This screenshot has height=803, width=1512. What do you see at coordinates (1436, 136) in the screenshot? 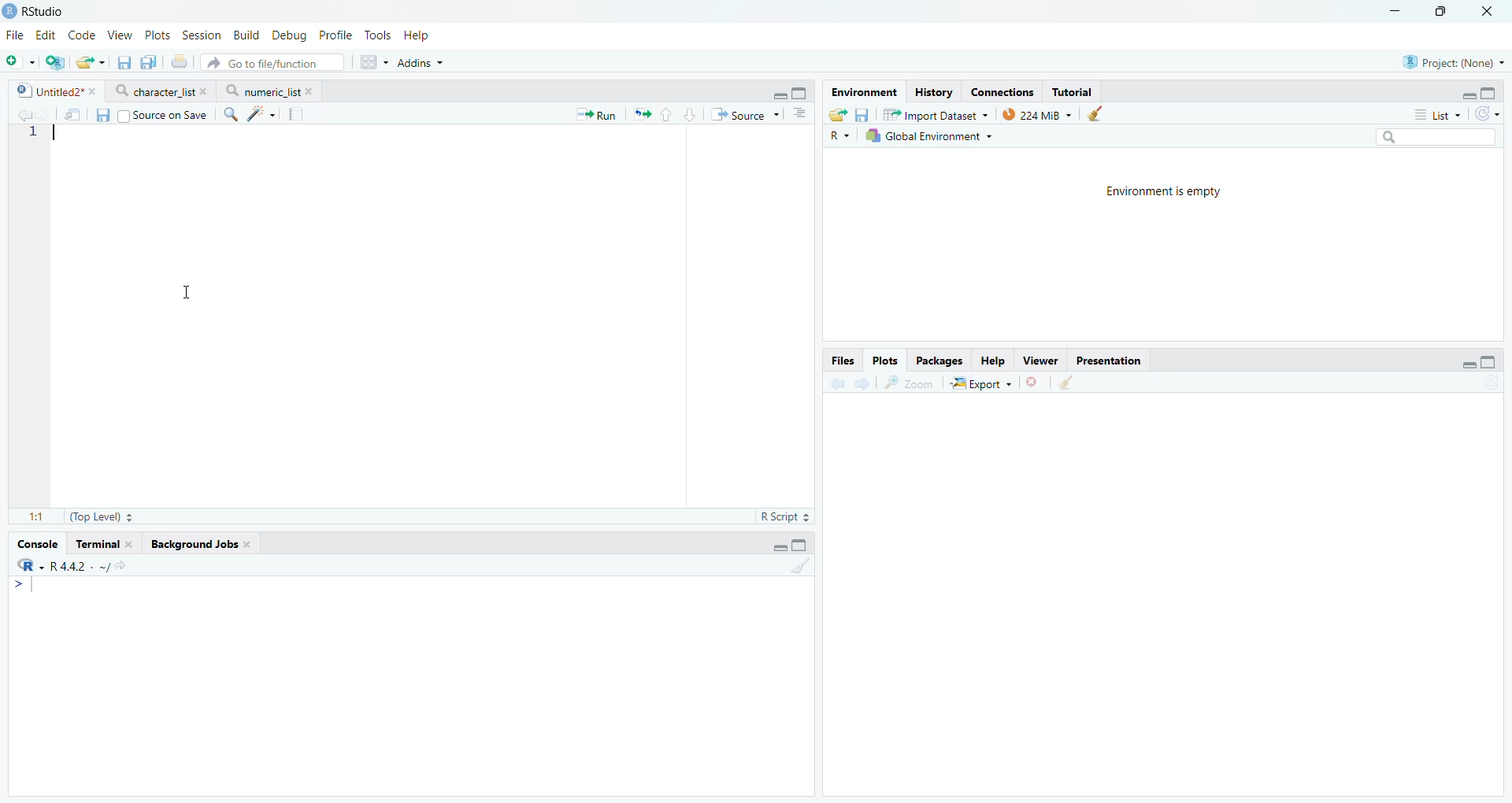
I see `Search` at bounding box center [1436, 136].